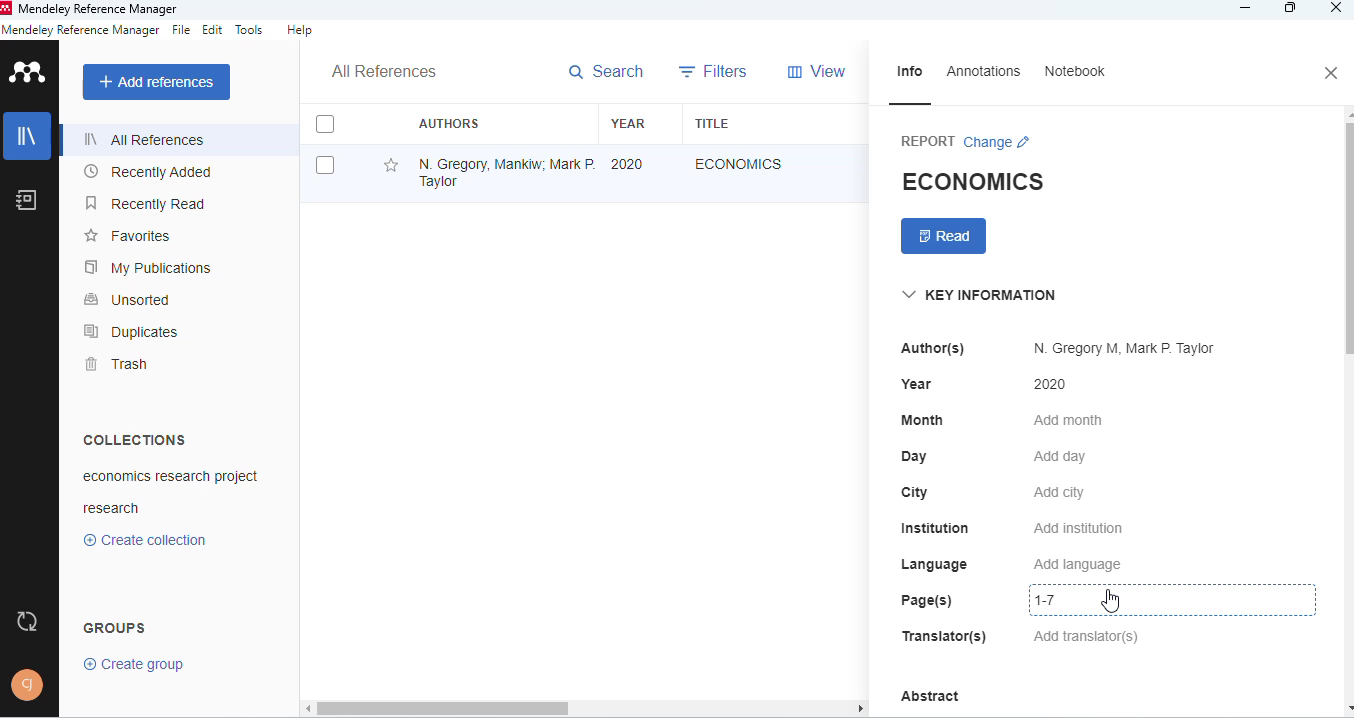 The height and width of the screenshot is (718, 1354). I want to click on all references, so click(385, 70).